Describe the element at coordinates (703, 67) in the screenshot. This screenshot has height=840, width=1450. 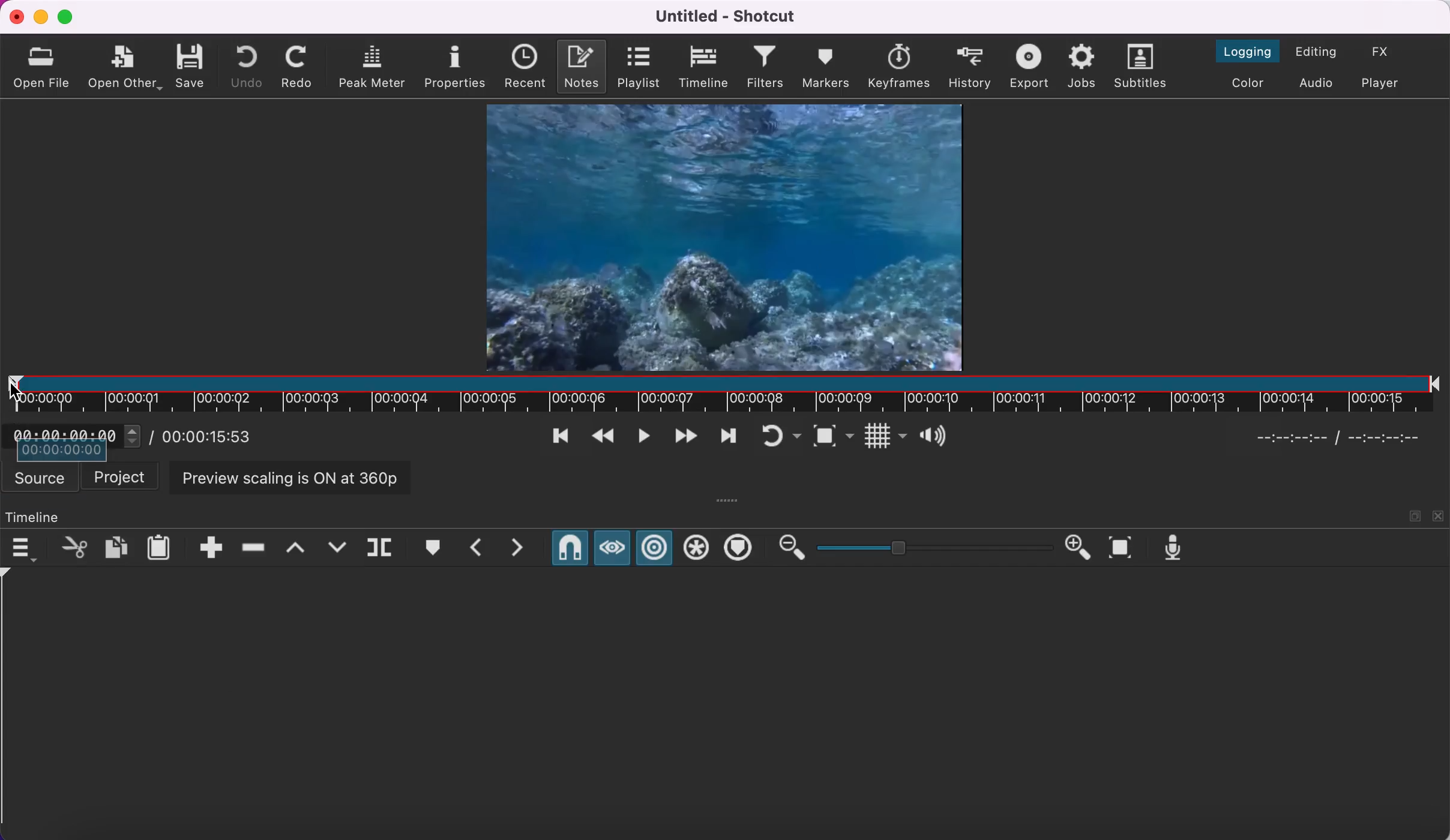
I see `timeline` at that location.